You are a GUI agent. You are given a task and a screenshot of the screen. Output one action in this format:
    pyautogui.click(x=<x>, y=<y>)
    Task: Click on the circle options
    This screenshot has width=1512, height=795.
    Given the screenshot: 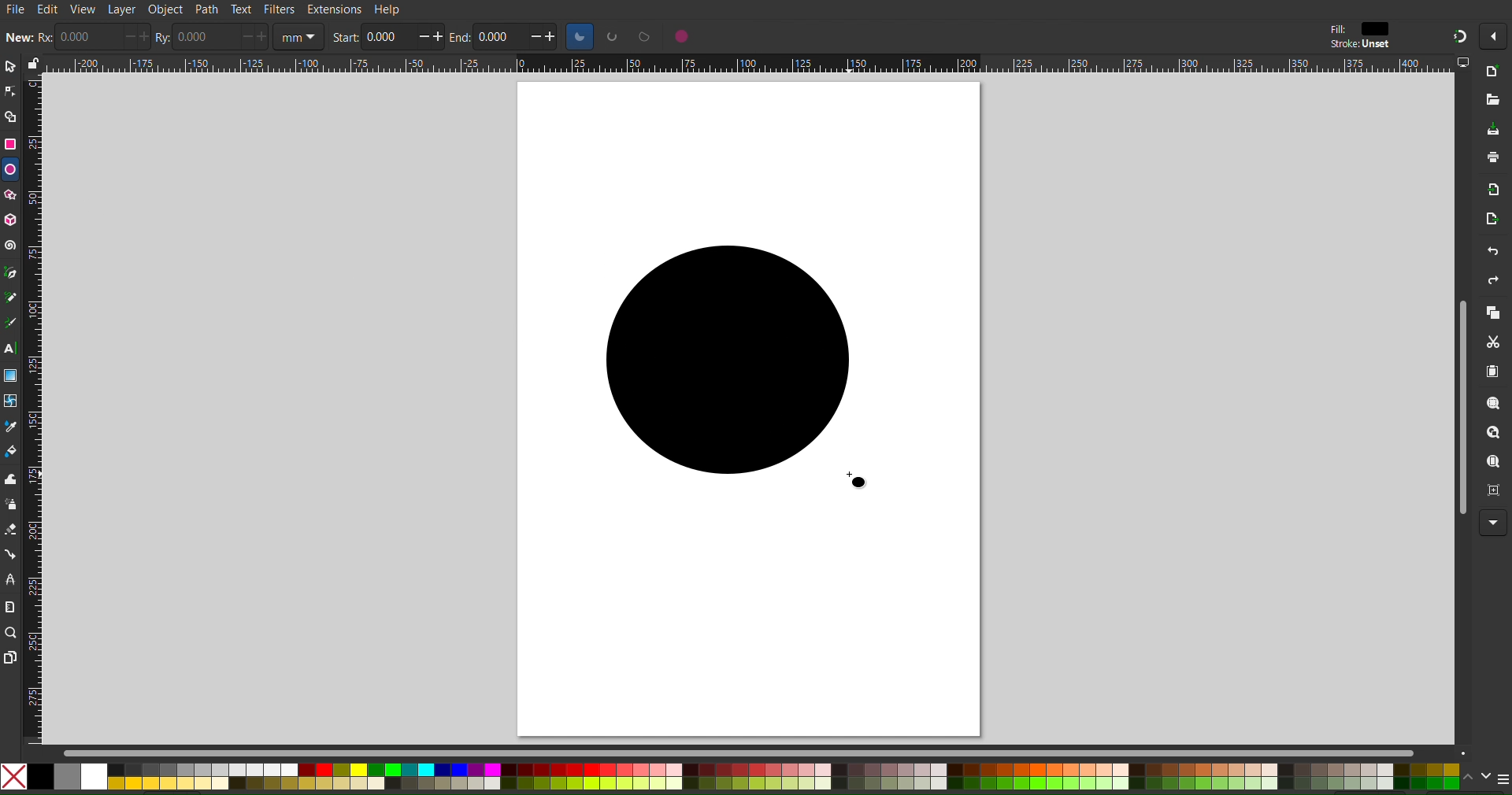 What is the action you would take?
    pyautogui.click(x=580, y=37)
    